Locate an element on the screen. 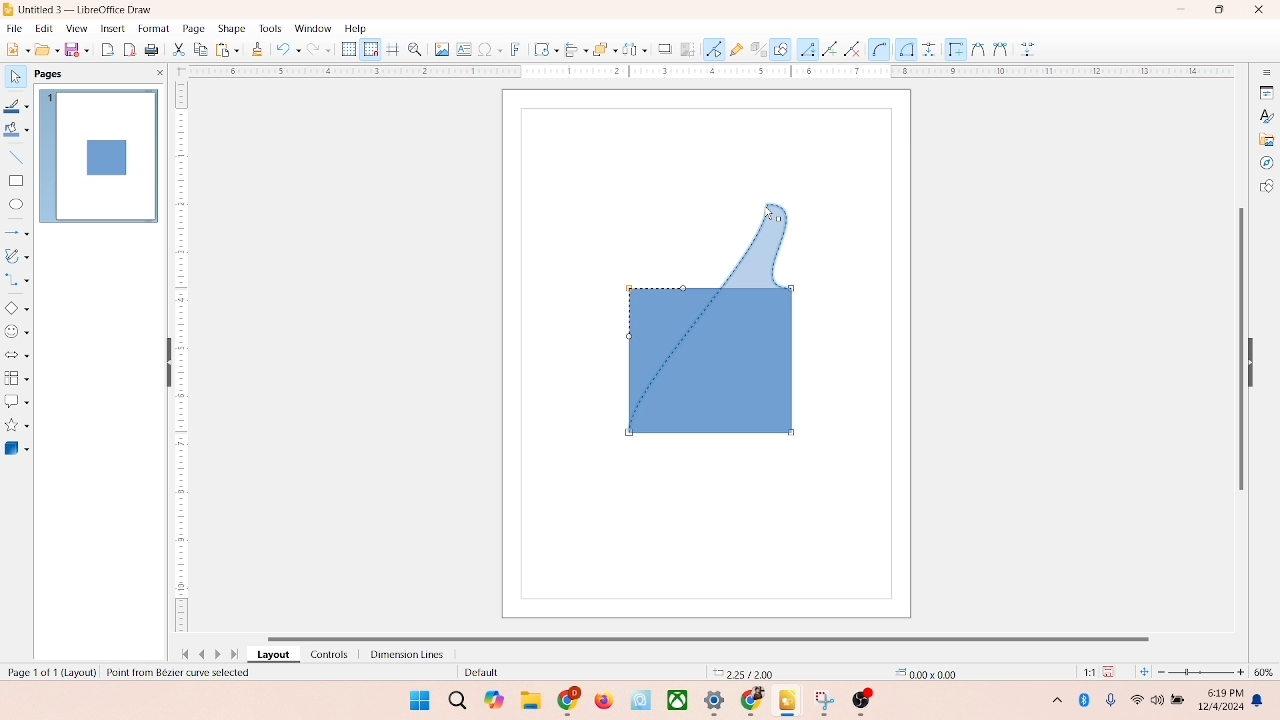 The width and height of the screenshot is (1280, 720). edit is located at coordinates (42, 29).